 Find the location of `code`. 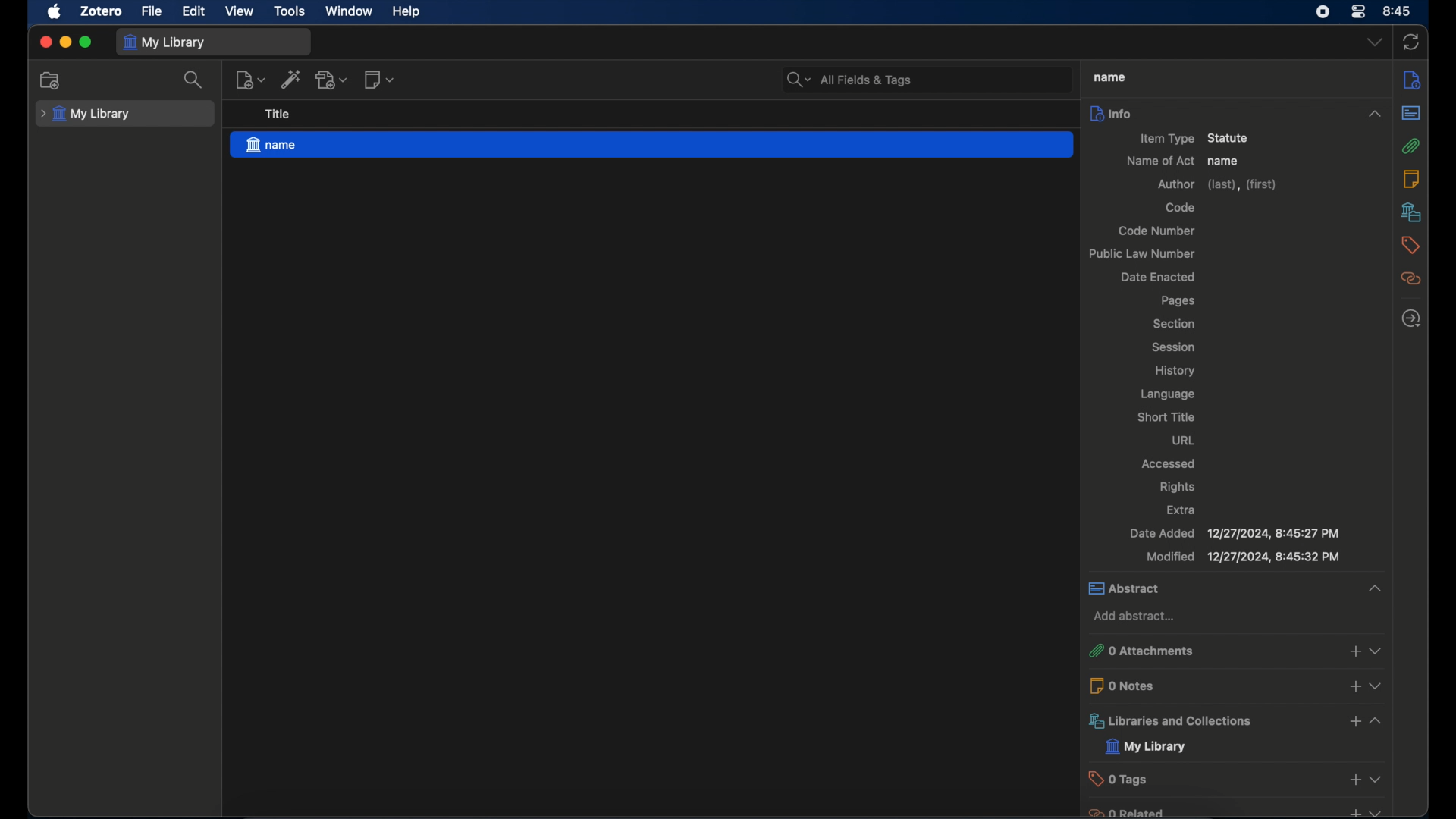

code is located at coordinates (1180, 207).